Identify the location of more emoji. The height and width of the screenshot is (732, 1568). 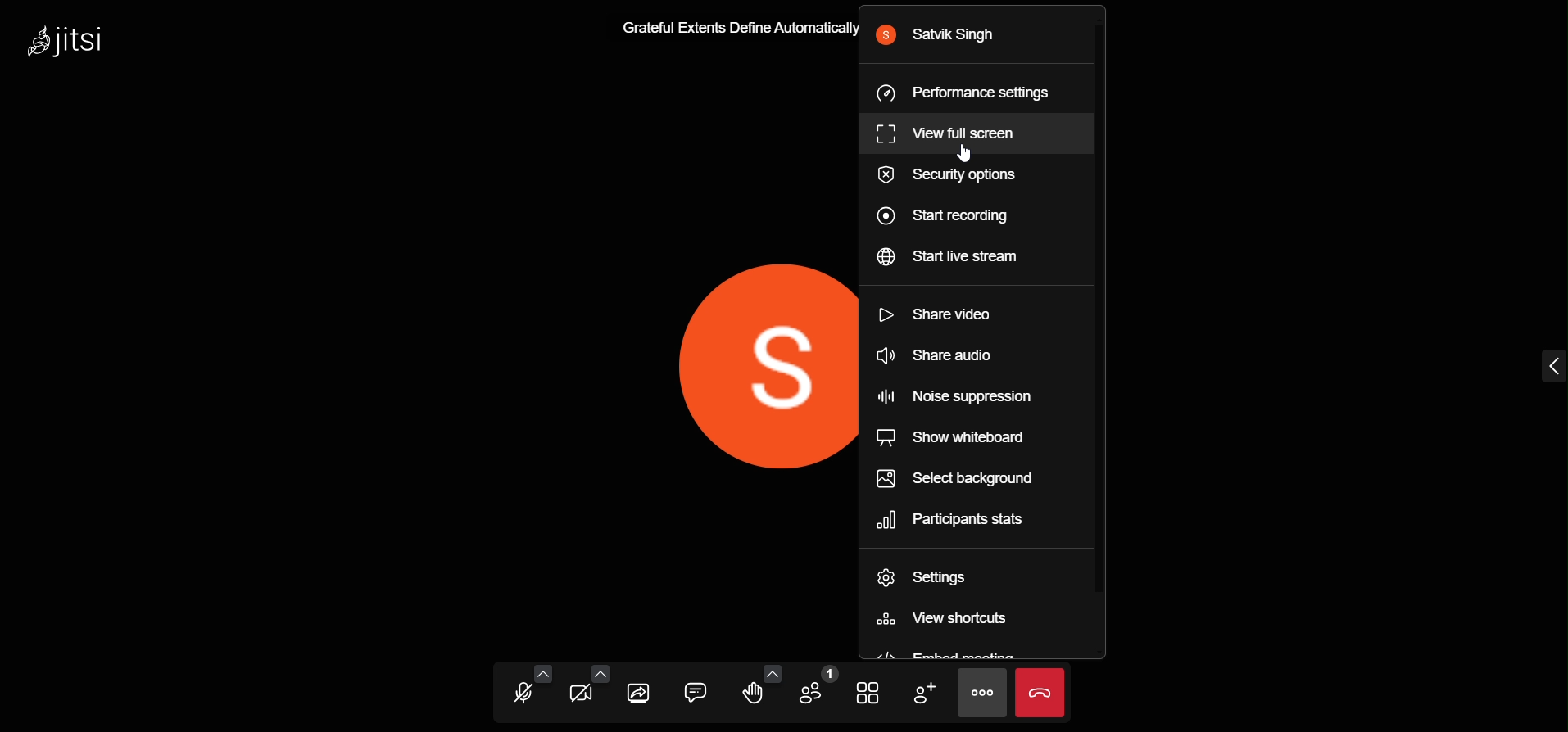
(770, 671).